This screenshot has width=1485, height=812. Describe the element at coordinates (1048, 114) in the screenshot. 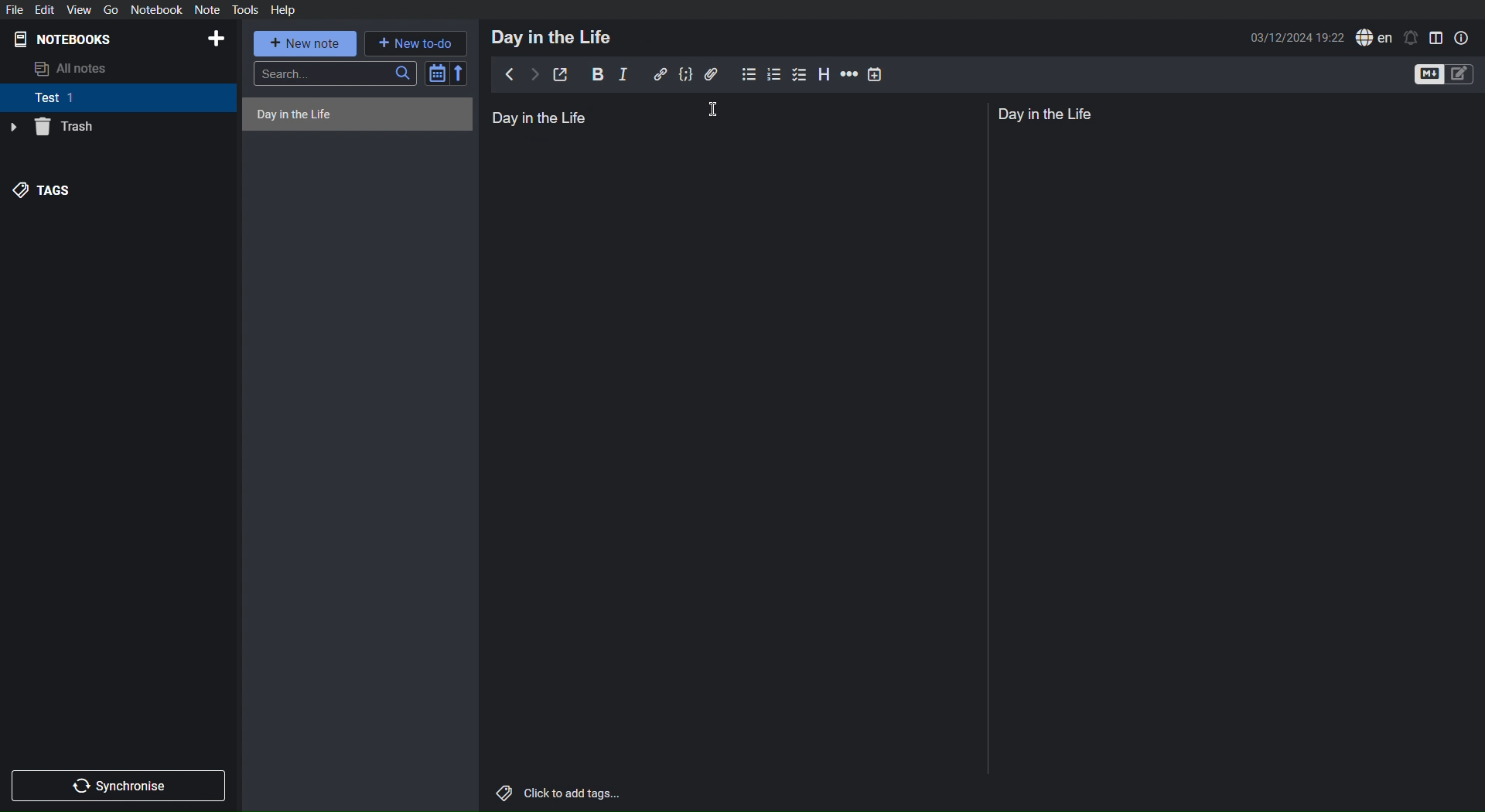

I see `Day in the Life` at that location.